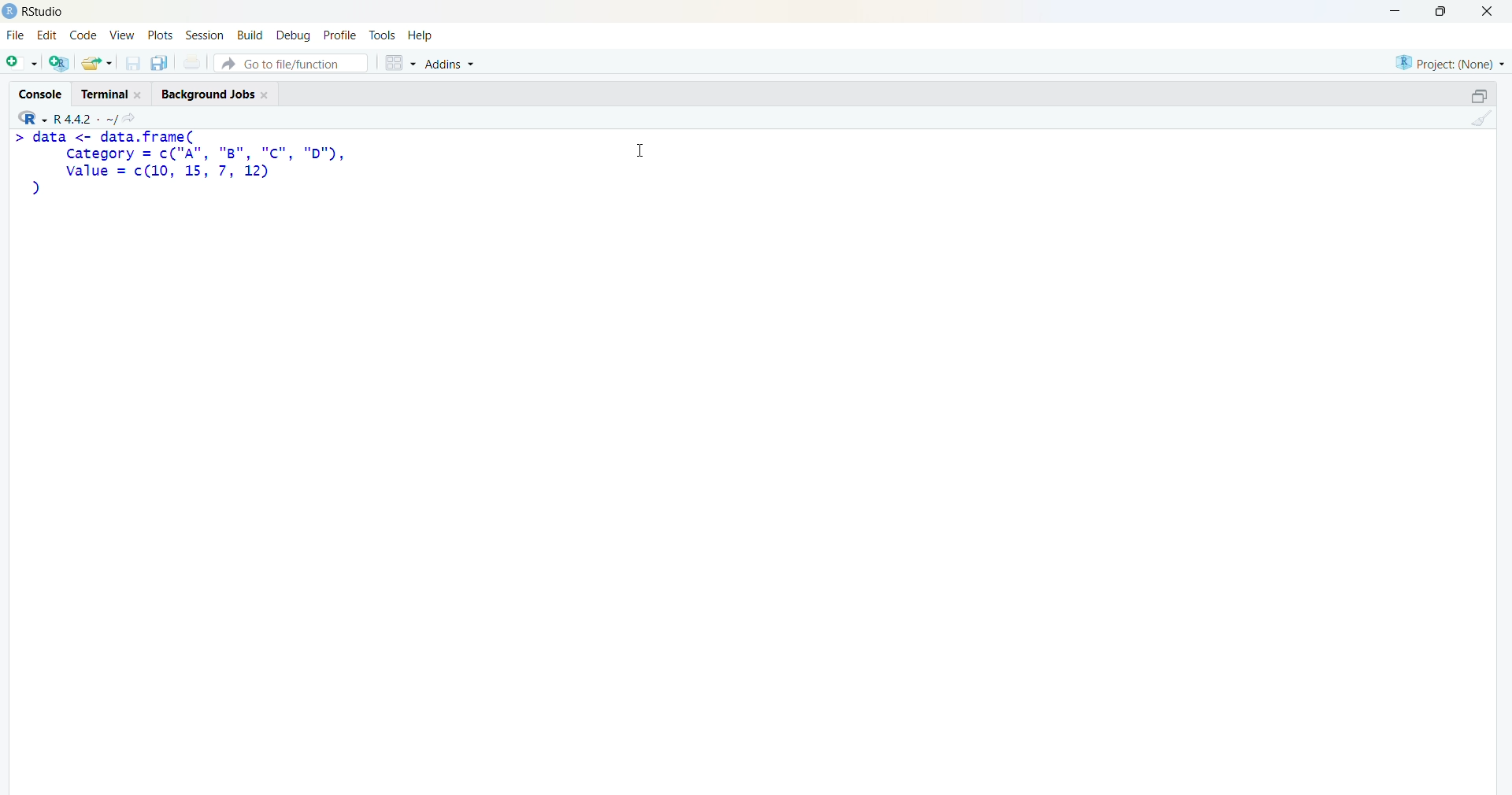 This screenshot has height=795, width=1512. What do you see at coordinates (16, 35) in the screenshot?
I see `File` at bounding box center [16, 35].